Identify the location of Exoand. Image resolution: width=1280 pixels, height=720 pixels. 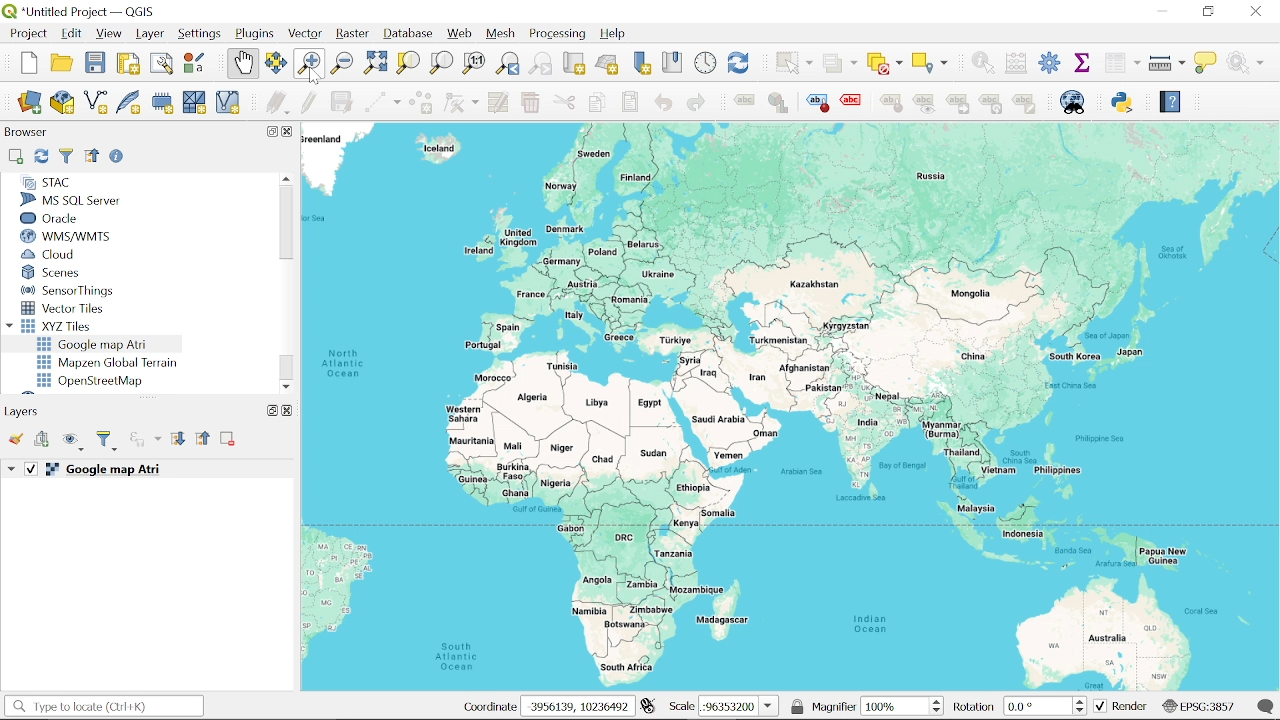
(13, 470).